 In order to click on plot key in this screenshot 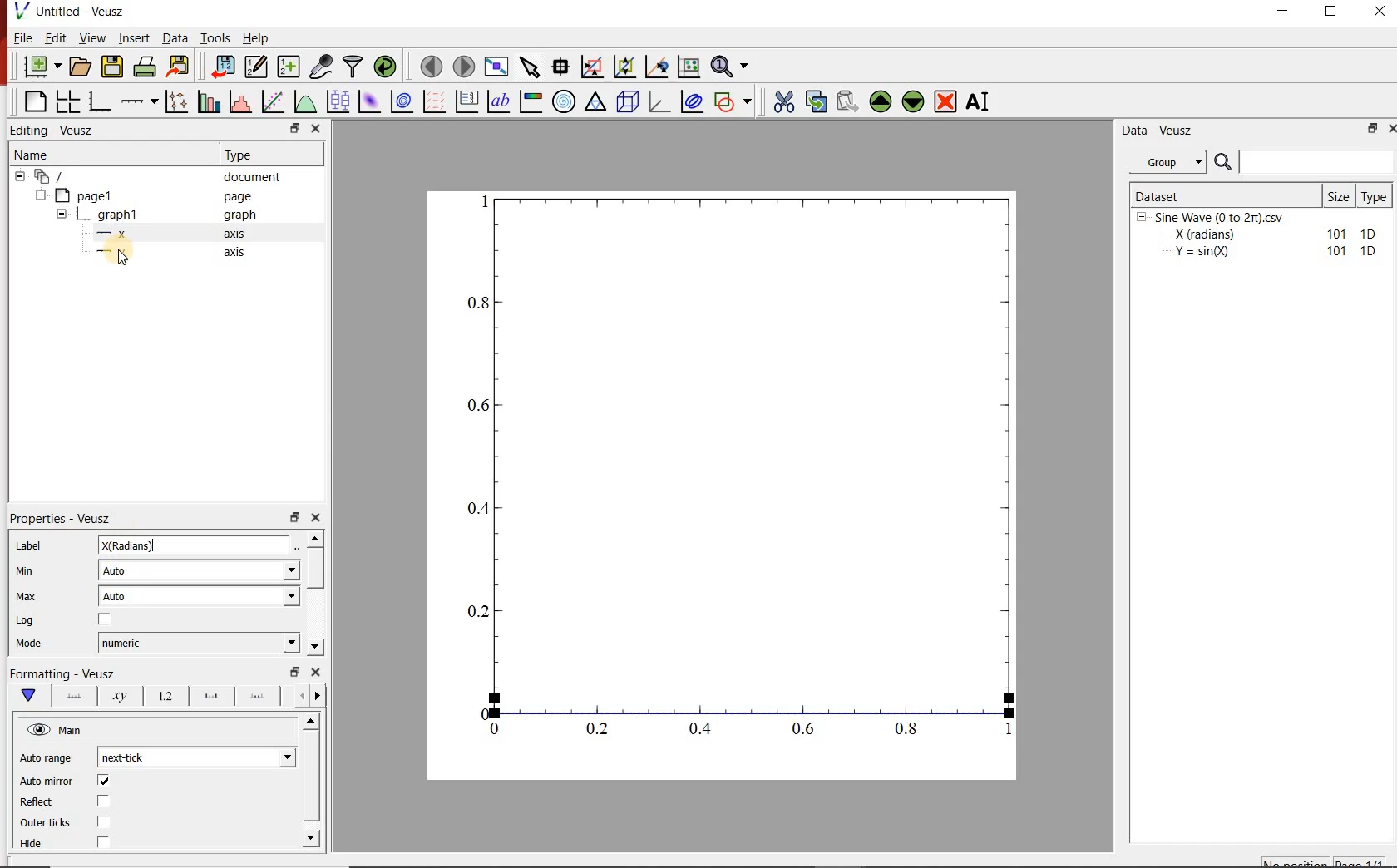, I will do `click(468, 101)`.